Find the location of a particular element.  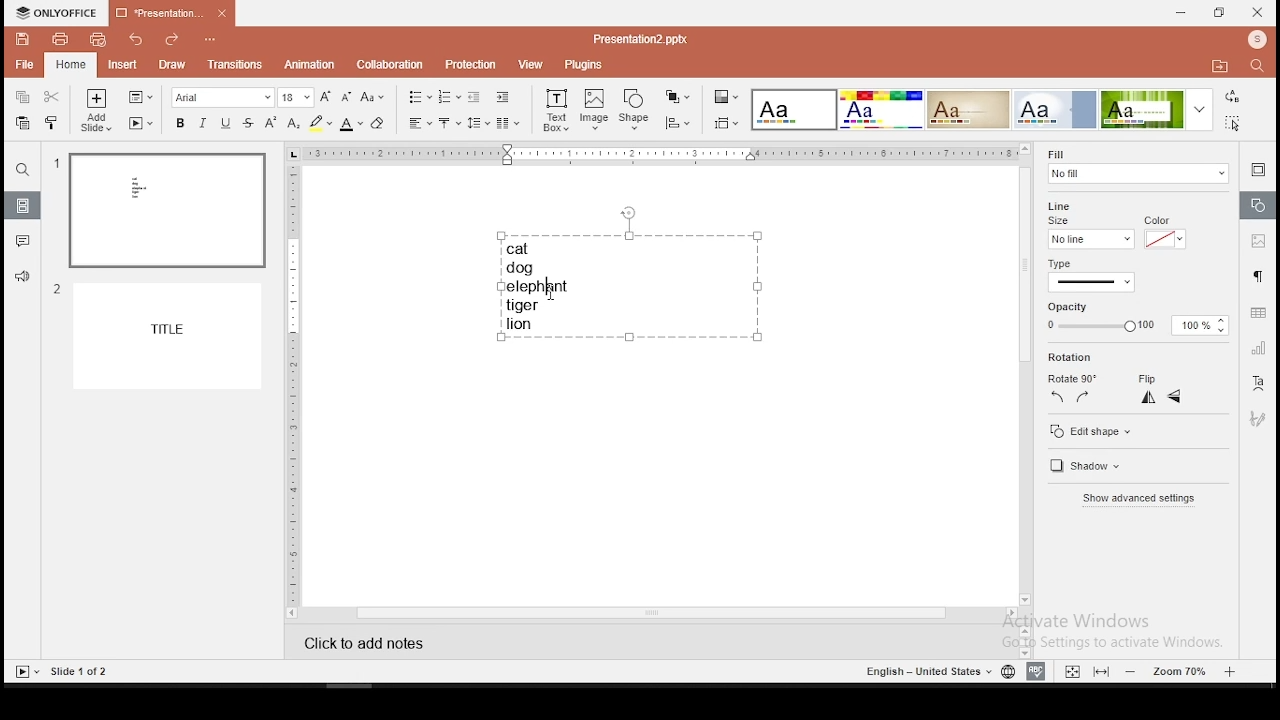

text is located at coordinates (629, 286).